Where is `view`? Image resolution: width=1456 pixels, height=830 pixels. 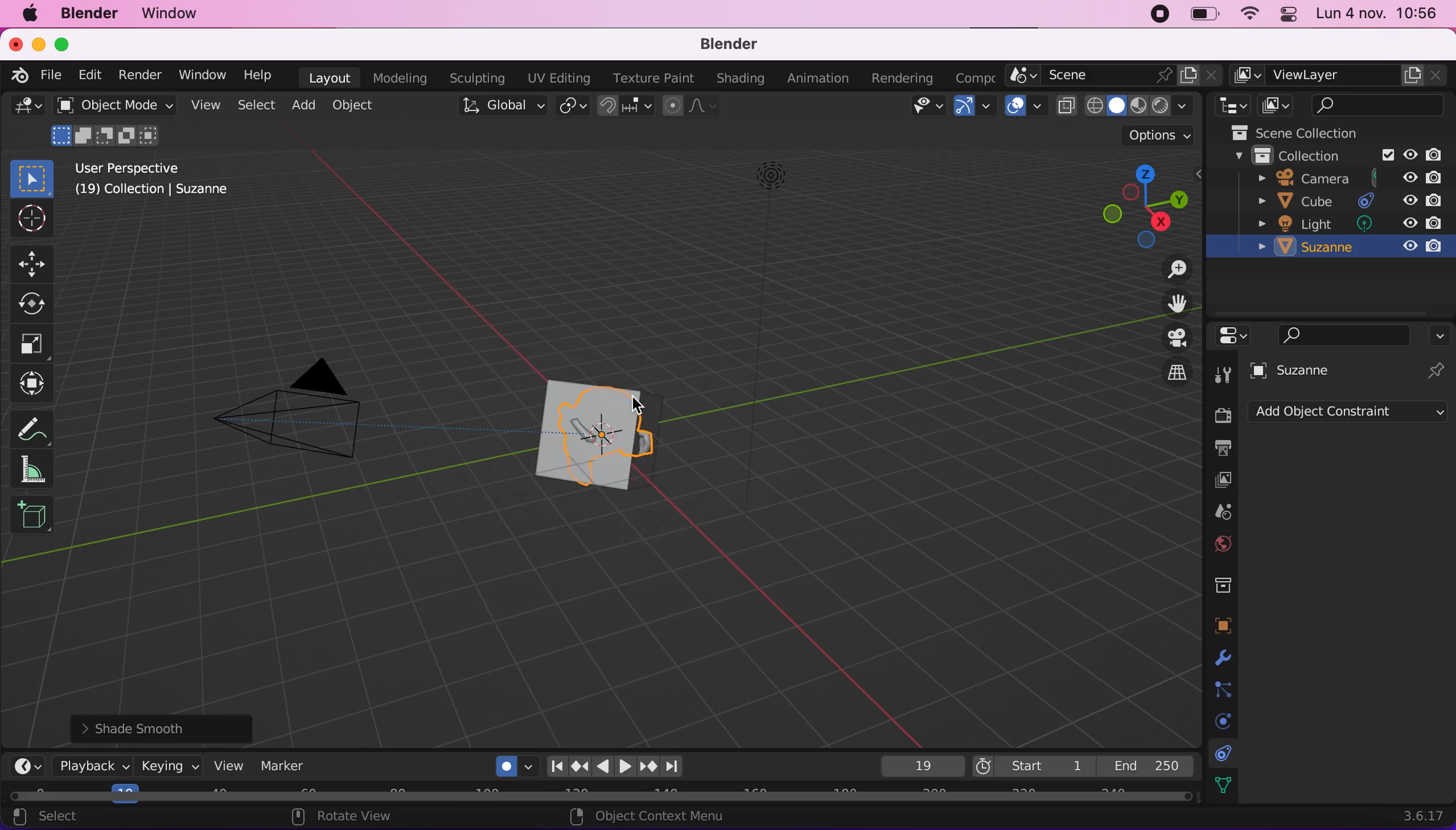 view is located at coordinates (230, 766).